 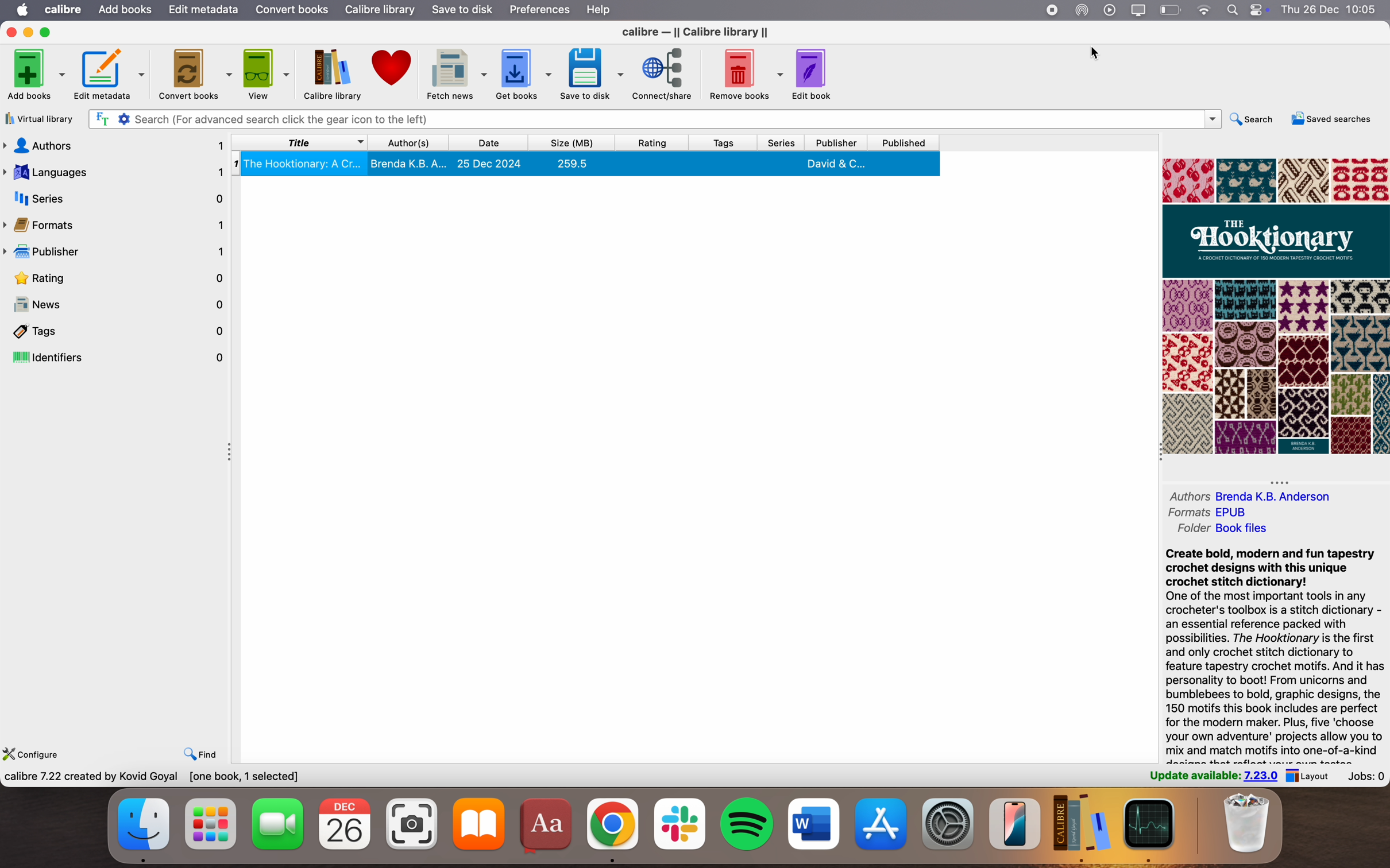 I want to click on title, so click(x=301, y=142).